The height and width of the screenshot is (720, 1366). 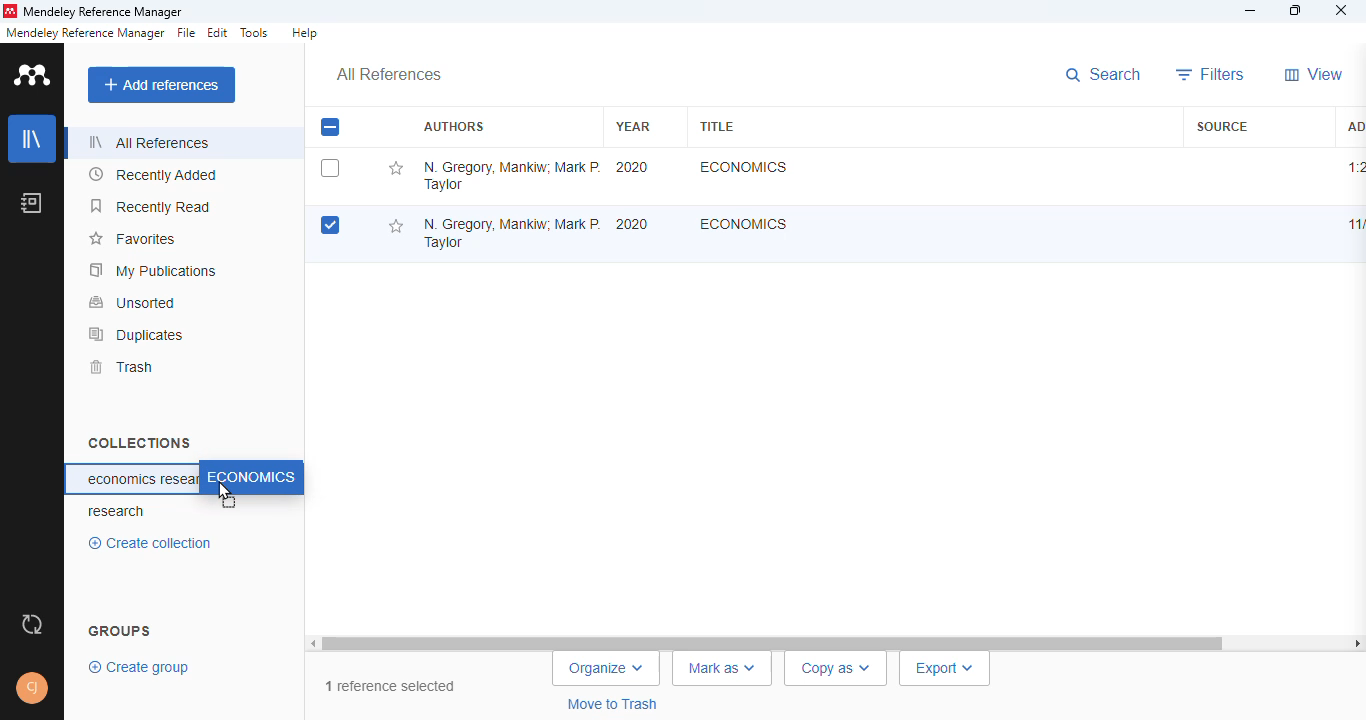 I want to click on minimize, so click(x=1252, y=11).